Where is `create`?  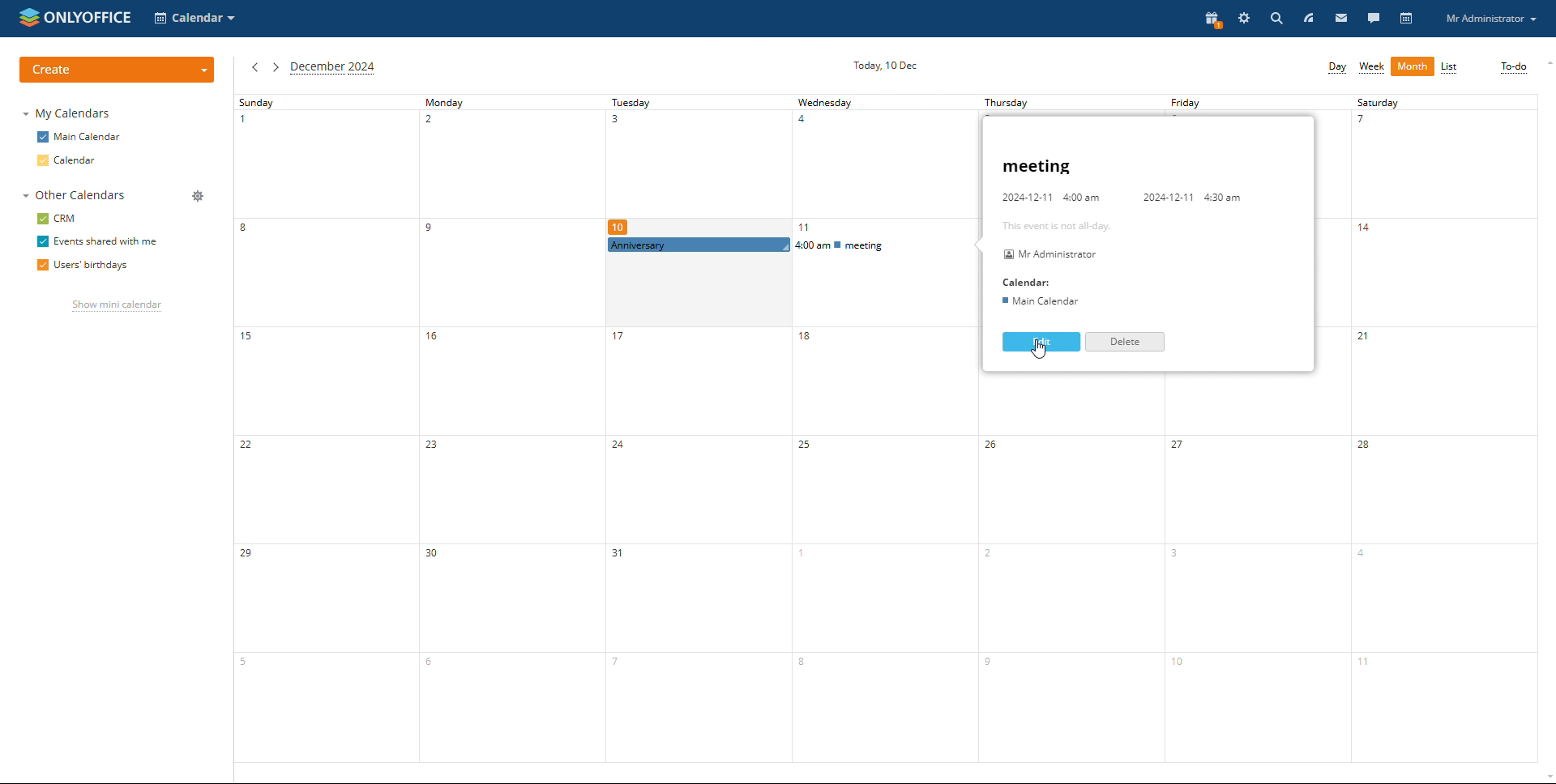 create is located at coordinates (116, 70).